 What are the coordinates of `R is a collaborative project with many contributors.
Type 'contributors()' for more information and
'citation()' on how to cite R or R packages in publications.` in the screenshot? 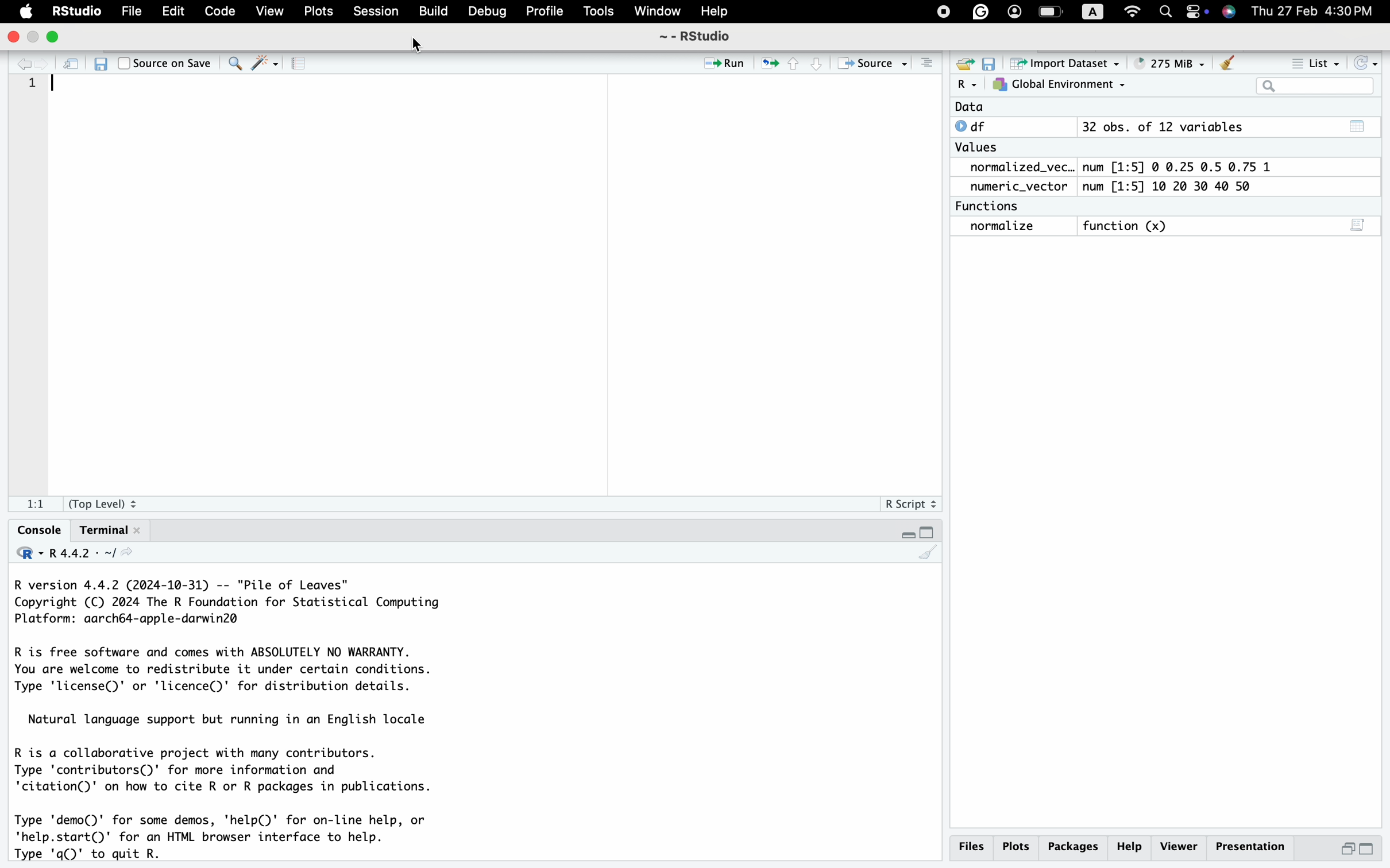 It's located at (235, 773).